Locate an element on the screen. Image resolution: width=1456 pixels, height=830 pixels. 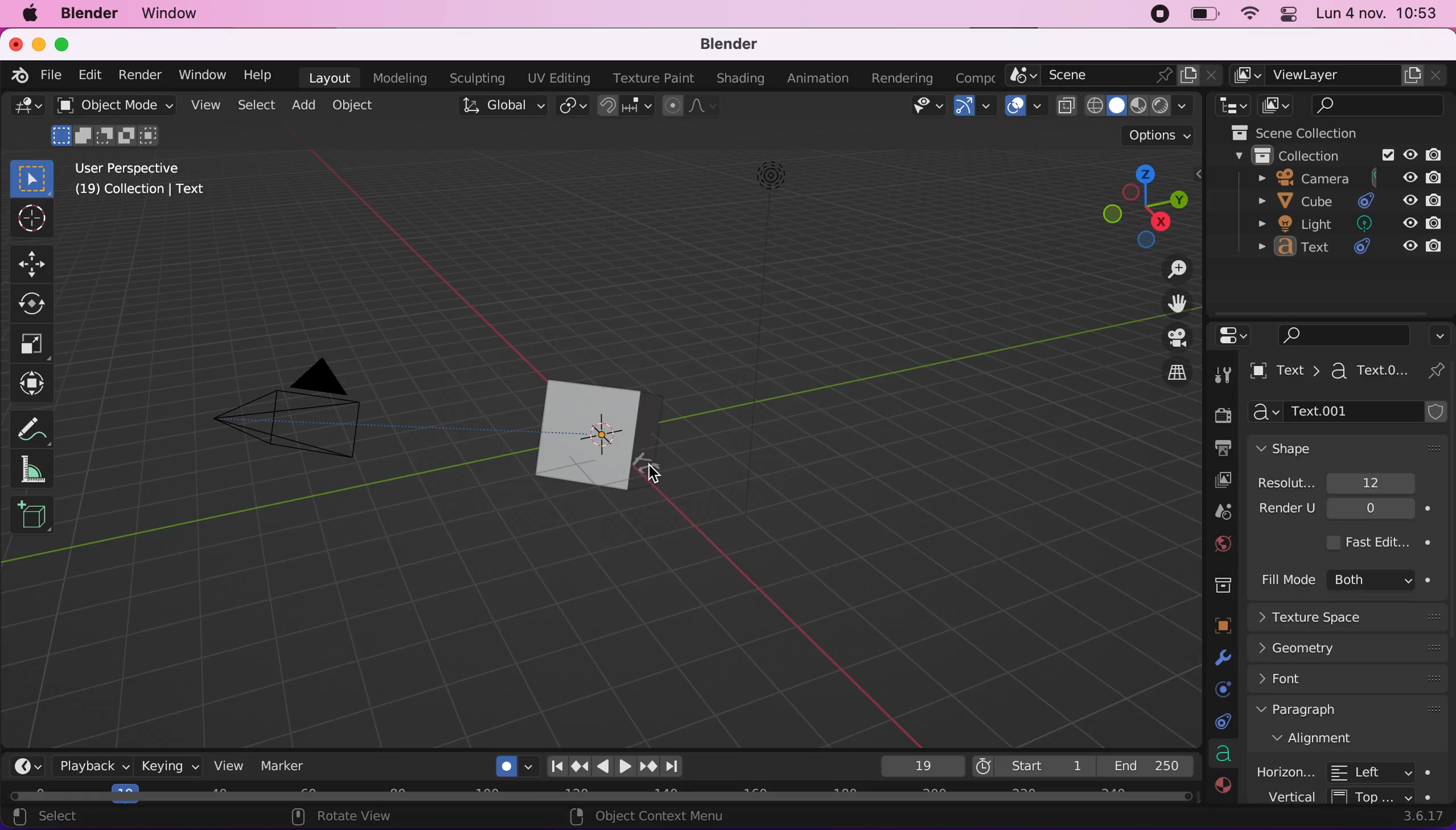
tools is located at coordinates (1226, 371).